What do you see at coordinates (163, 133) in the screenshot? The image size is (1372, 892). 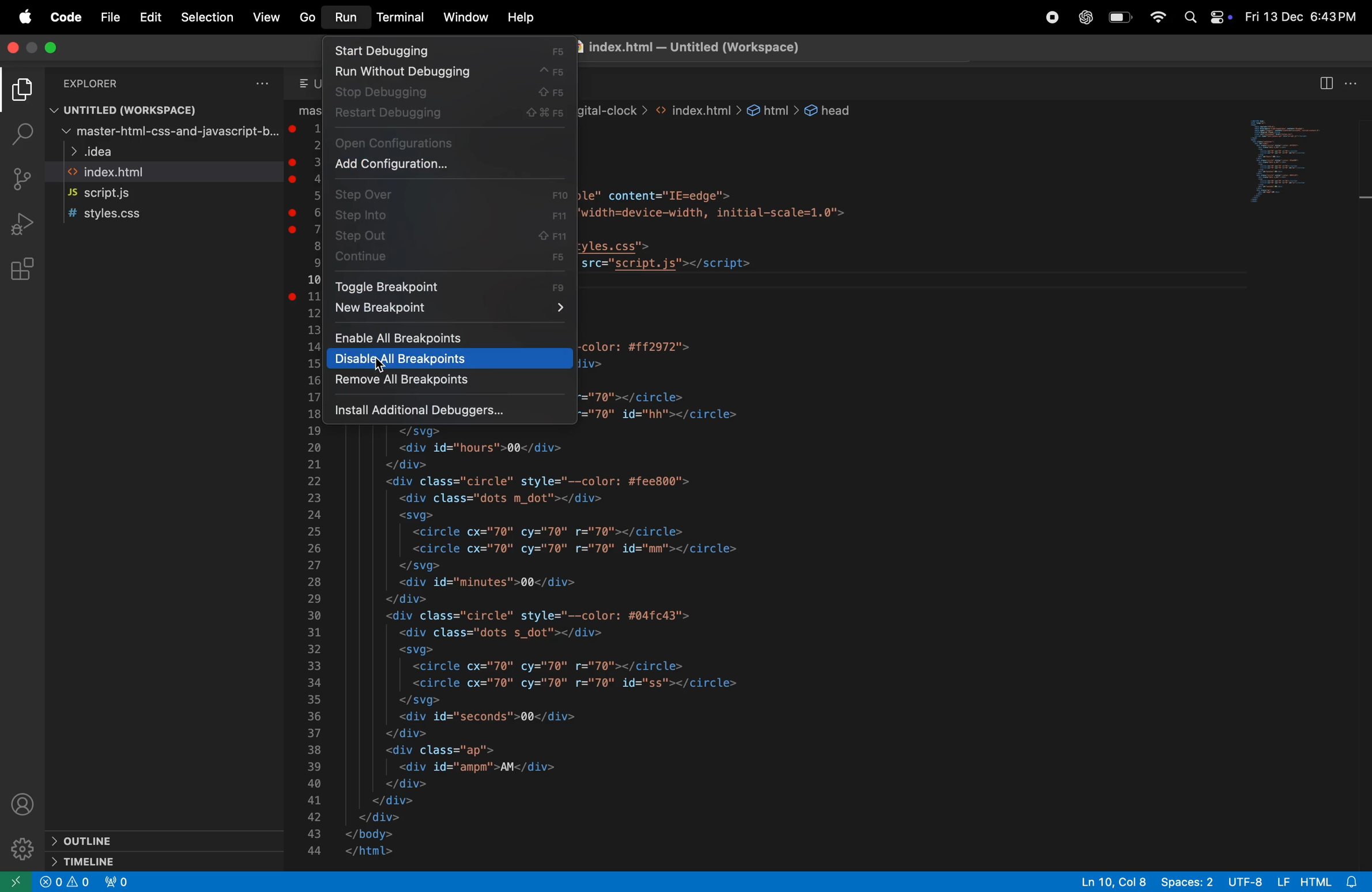 I see `master -css htm java script` at bounding box center [163, 133].